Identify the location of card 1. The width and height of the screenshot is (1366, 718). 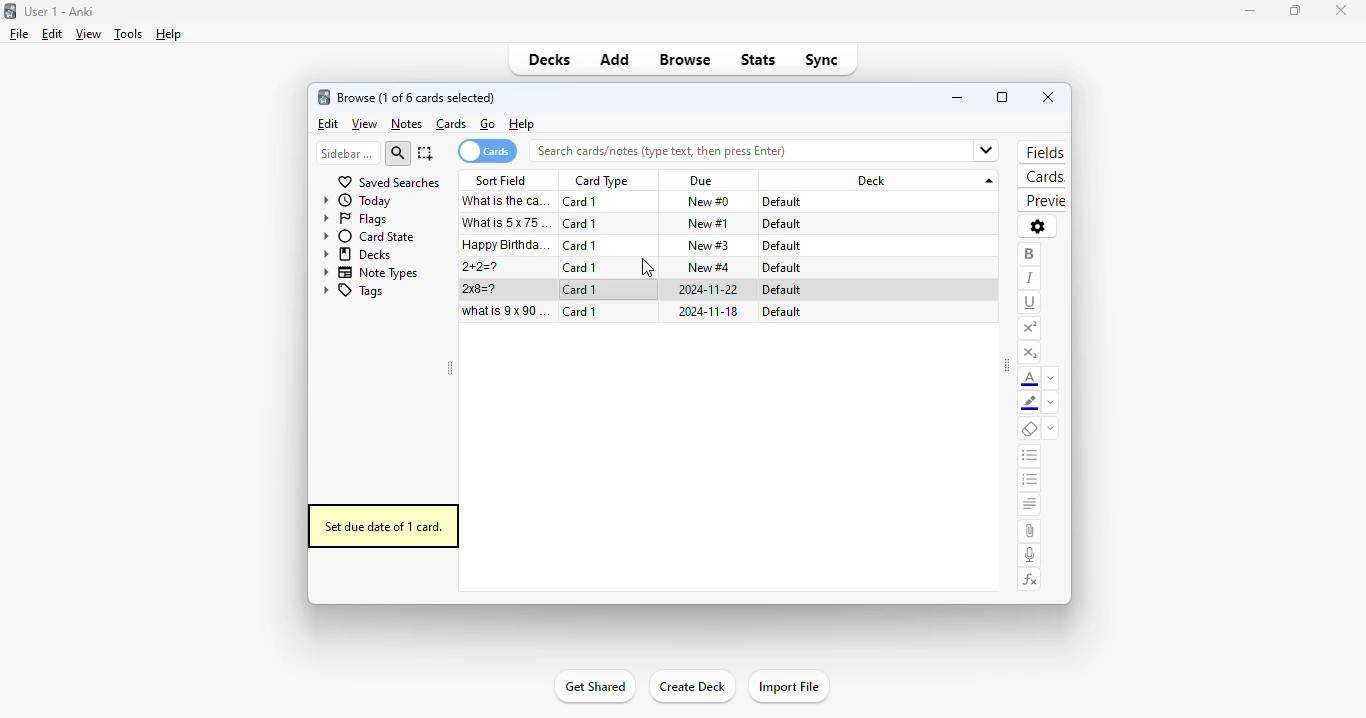
(581, 311).